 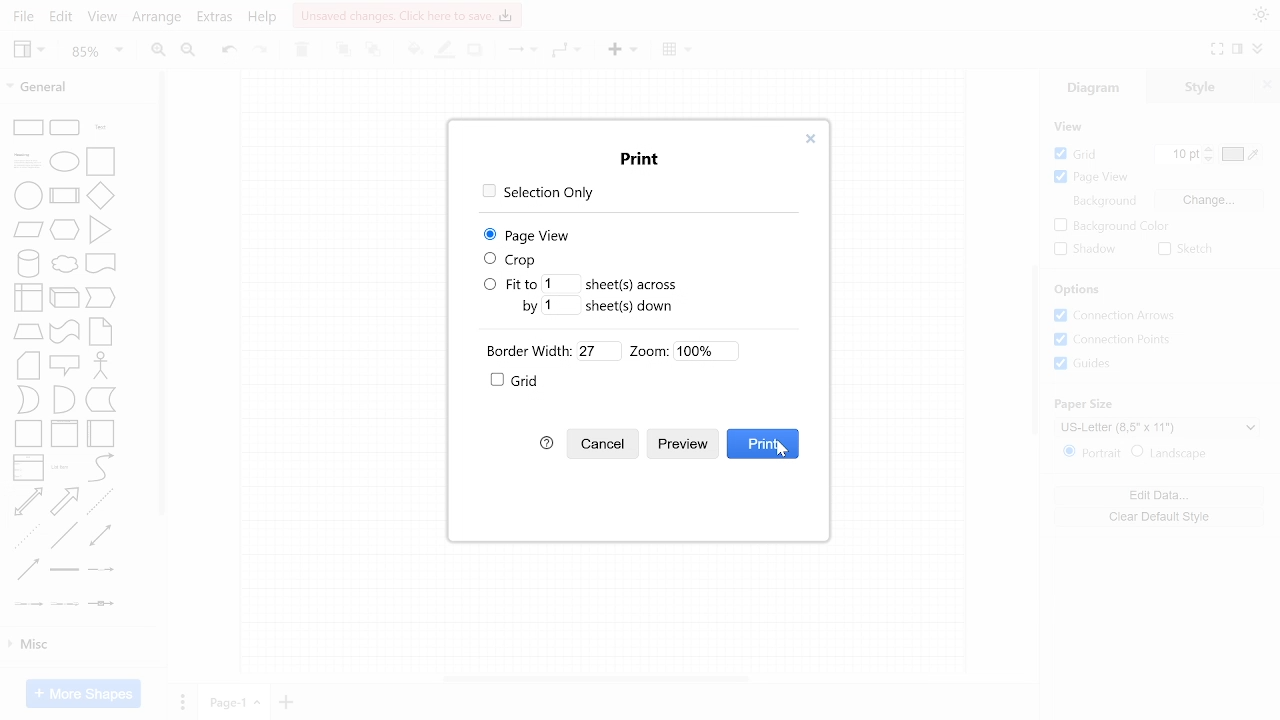 I want to click on Background, so click(x=1104, y=201).